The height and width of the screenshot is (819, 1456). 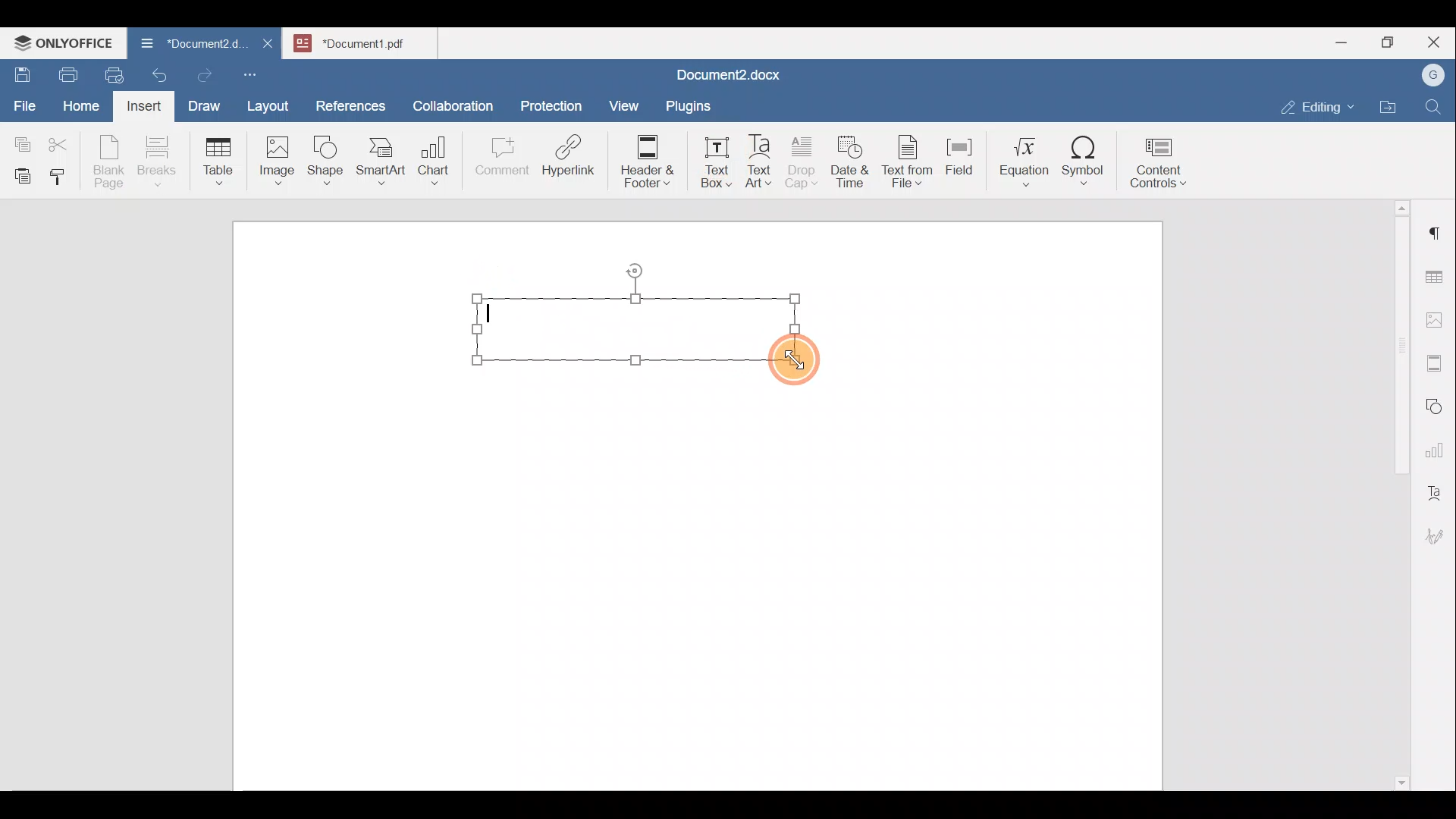 I want to click on Print file, so click(x=65, y=72).